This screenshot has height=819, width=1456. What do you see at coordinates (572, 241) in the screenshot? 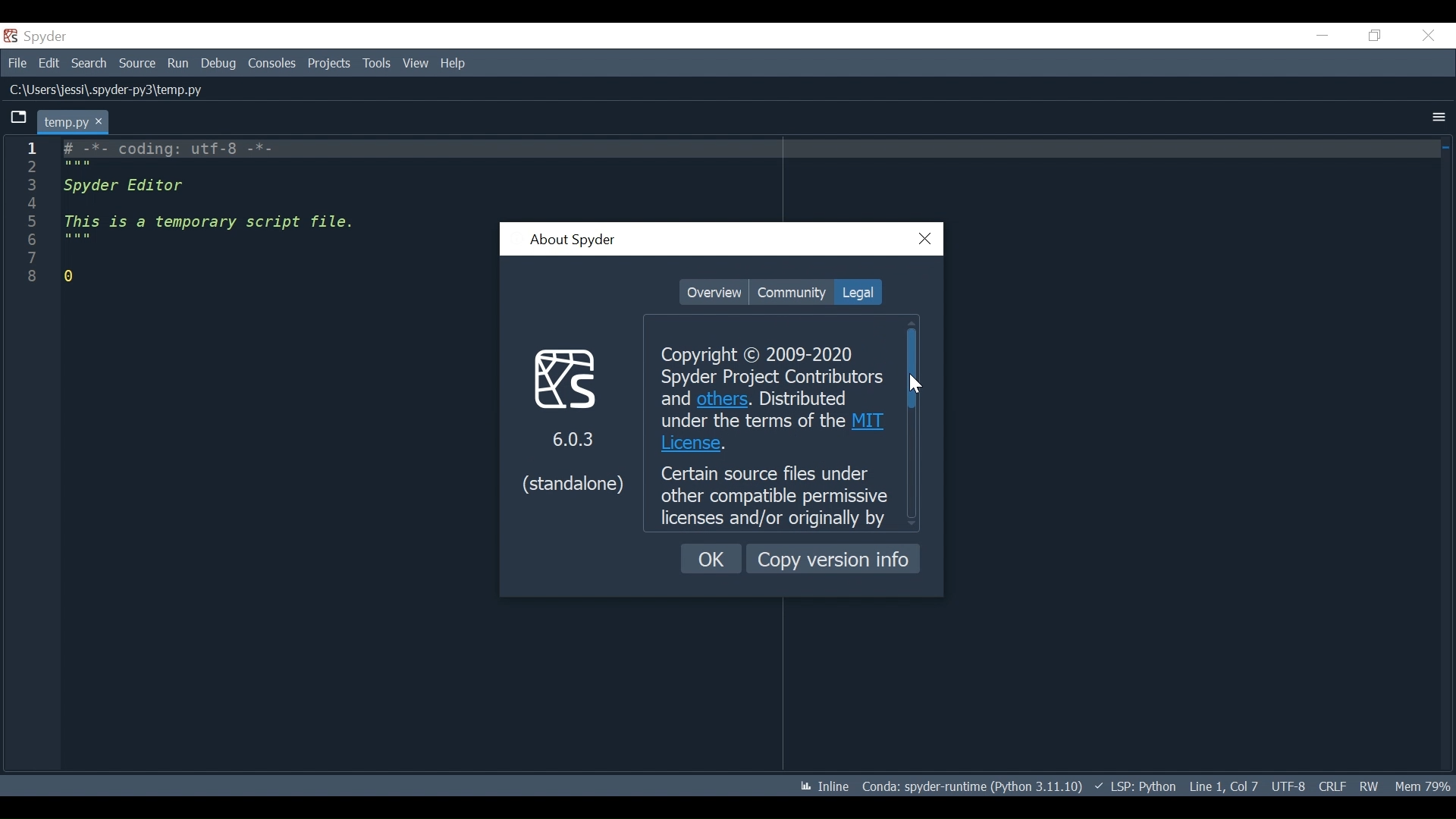
I see `About Spyder` at bounding box center [572, 241].